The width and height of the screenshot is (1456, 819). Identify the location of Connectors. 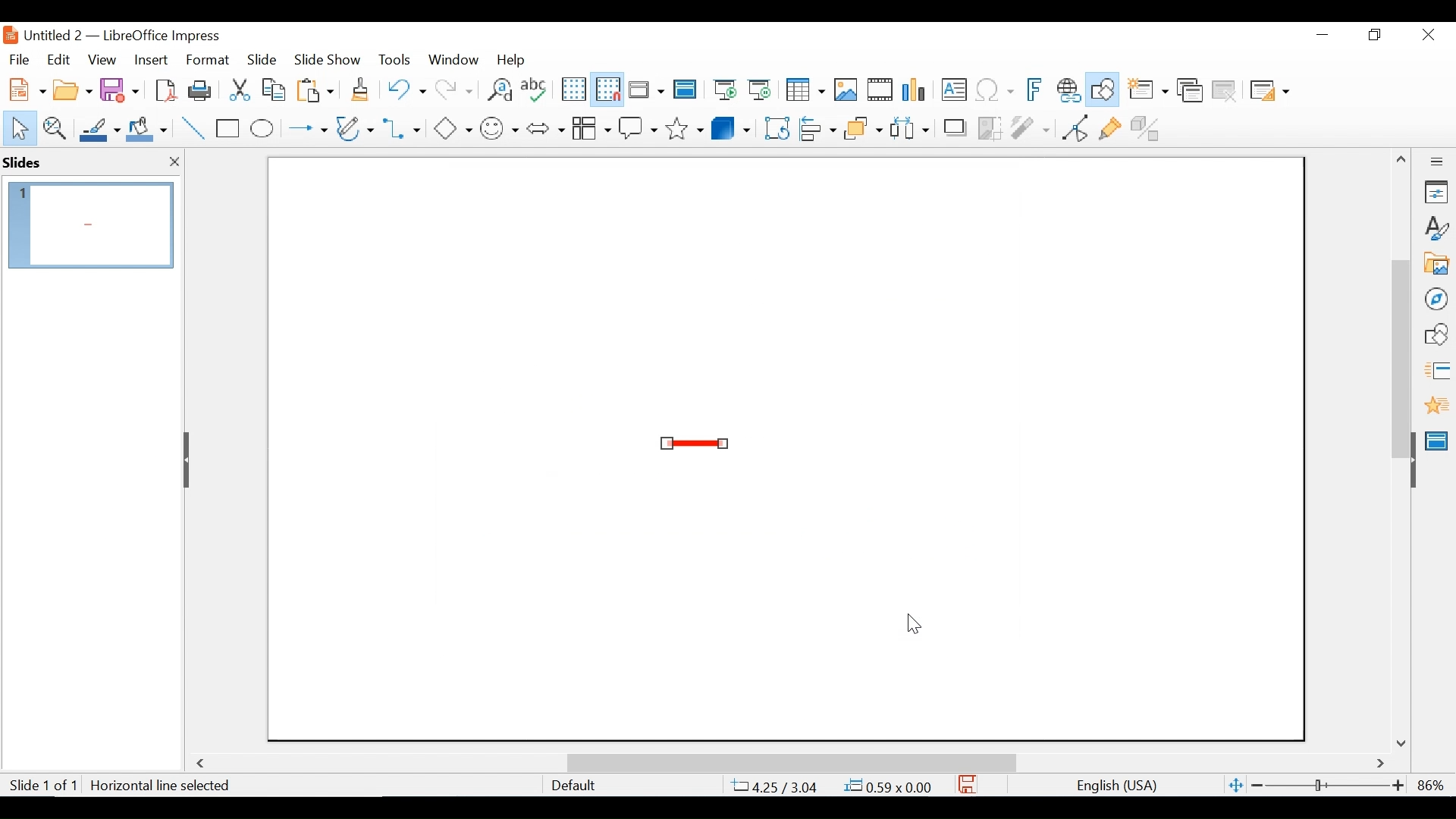
(403, 128).